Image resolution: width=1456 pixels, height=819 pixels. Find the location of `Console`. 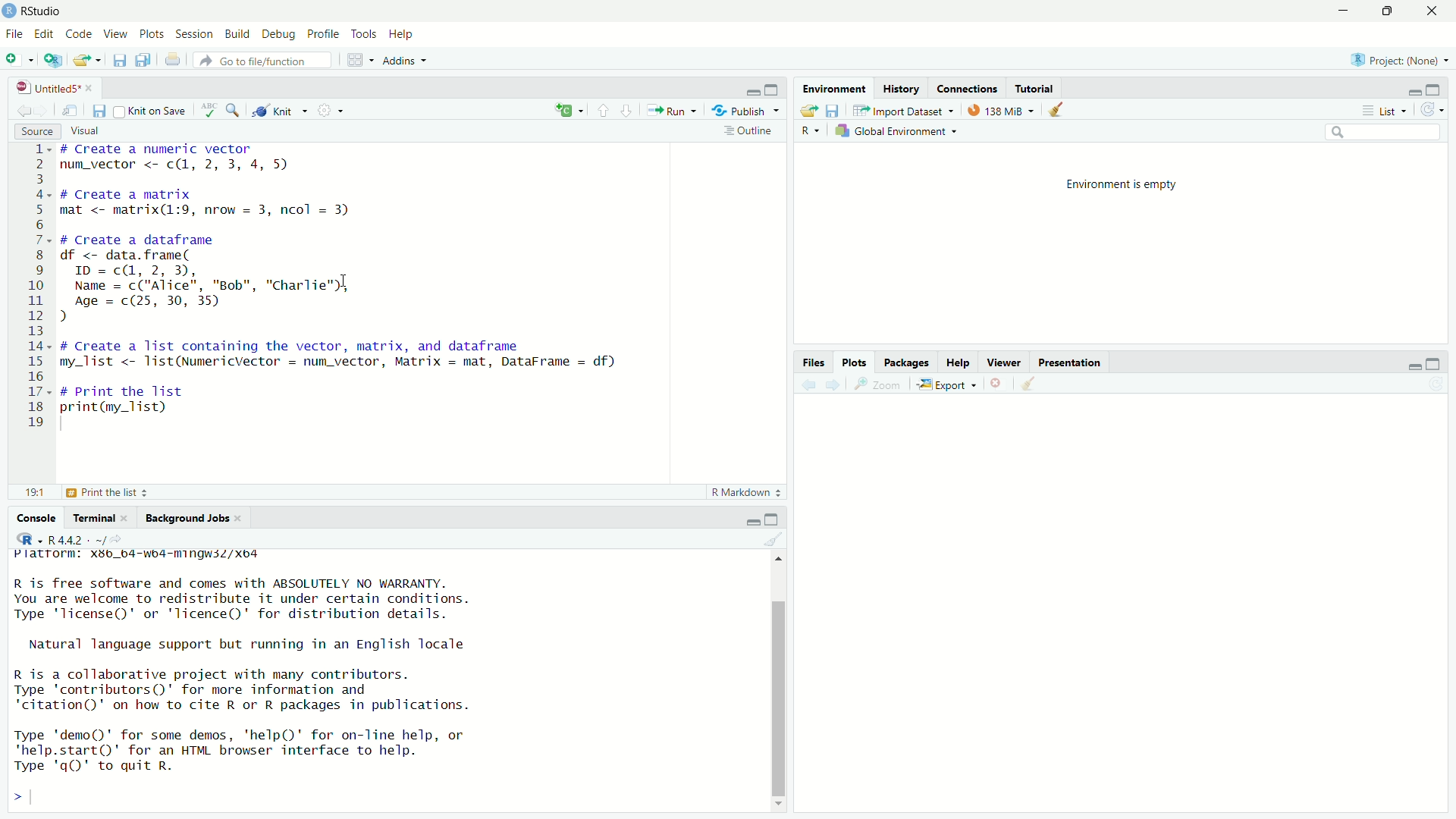

Console is located at coordinates (39, 517).